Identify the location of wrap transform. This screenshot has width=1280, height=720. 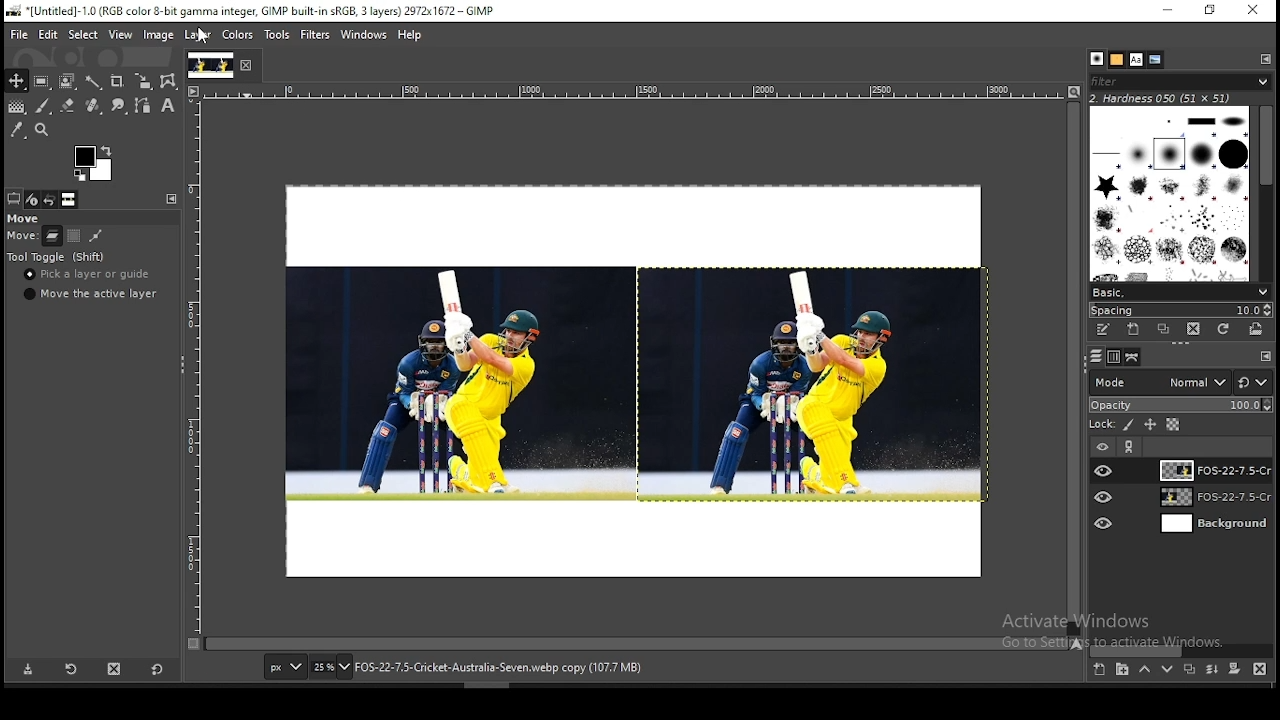
(168, 81).